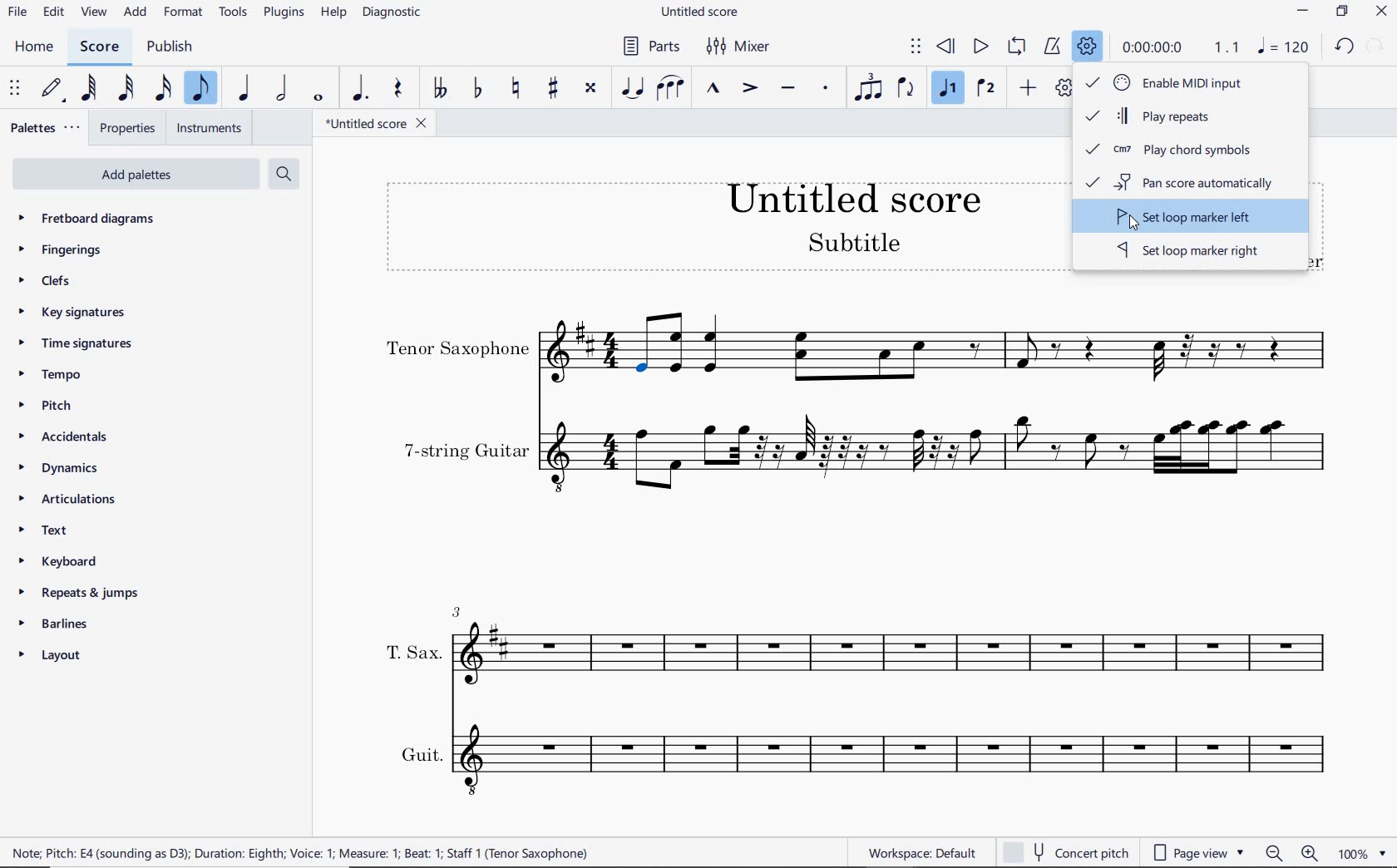 The height and width of the screenshot is (868, 1397). Describe the element at coordinates (56, 560) in the screenshot. I see `KEYBOARD` at that location.